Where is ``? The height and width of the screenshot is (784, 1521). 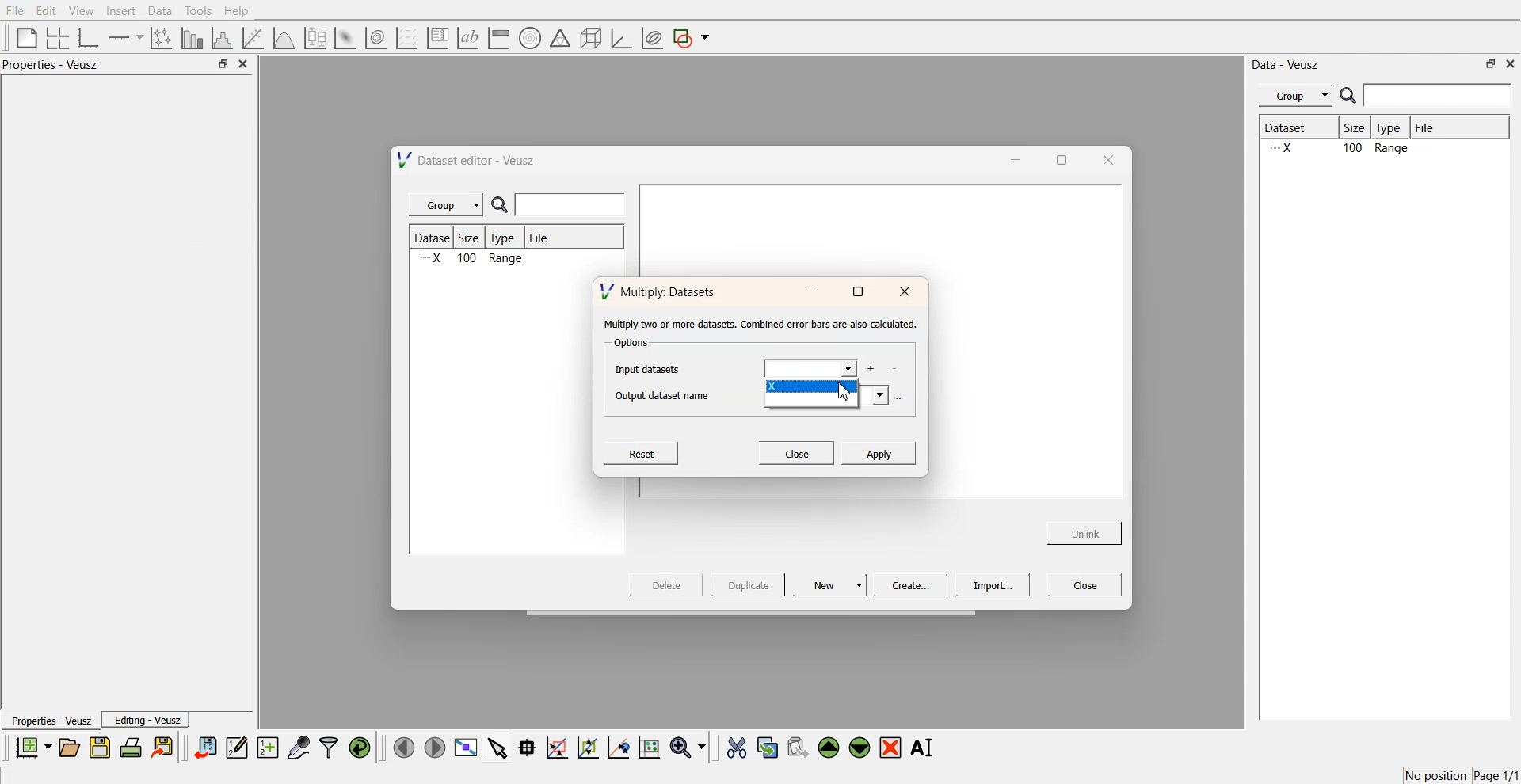  is located at coordinates (1295, 96).